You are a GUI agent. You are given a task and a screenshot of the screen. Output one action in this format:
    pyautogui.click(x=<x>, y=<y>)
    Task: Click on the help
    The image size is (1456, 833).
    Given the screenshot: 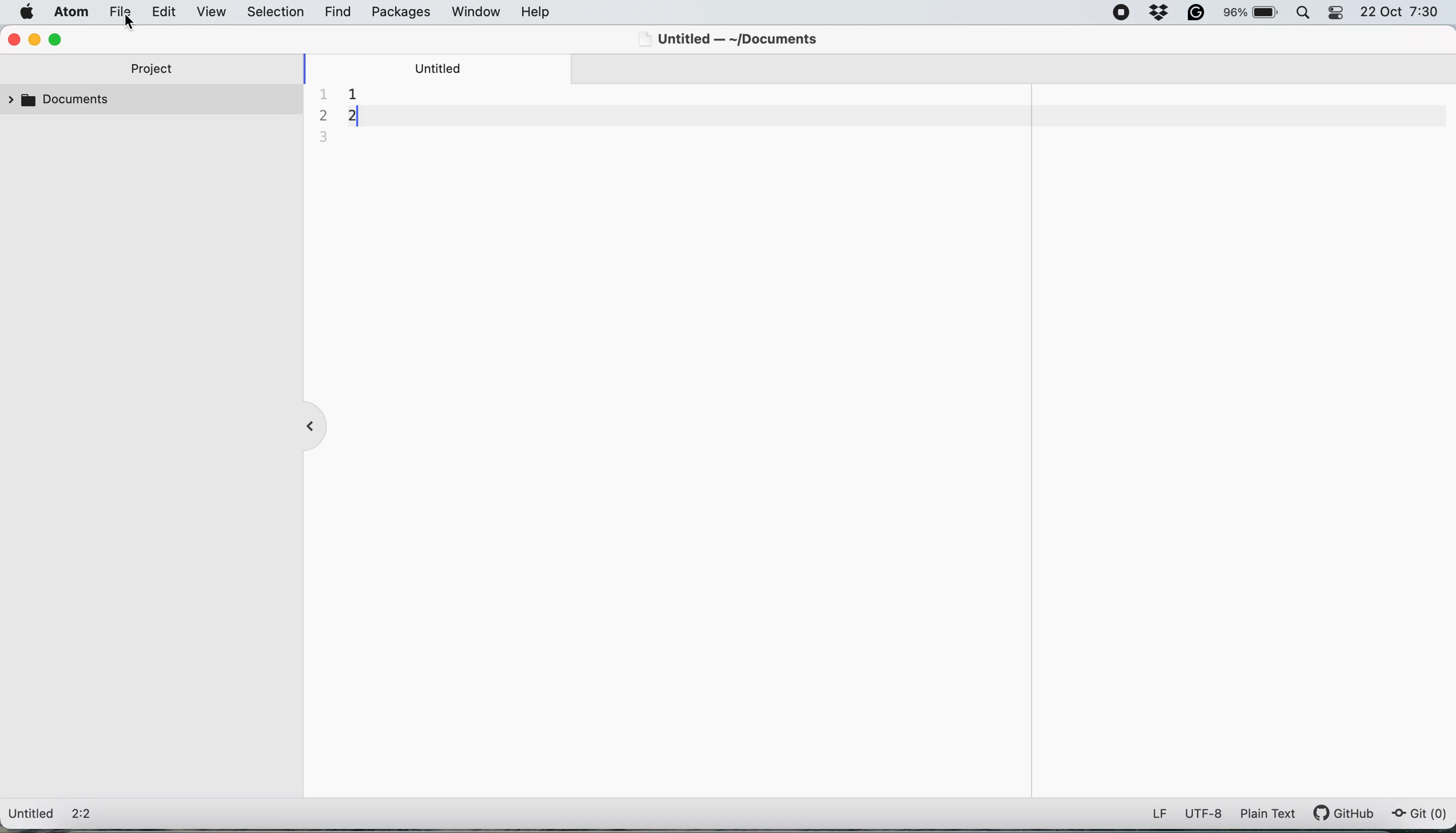 What is the action you would take?
    pyautogui.click(x=538, y=13)
    